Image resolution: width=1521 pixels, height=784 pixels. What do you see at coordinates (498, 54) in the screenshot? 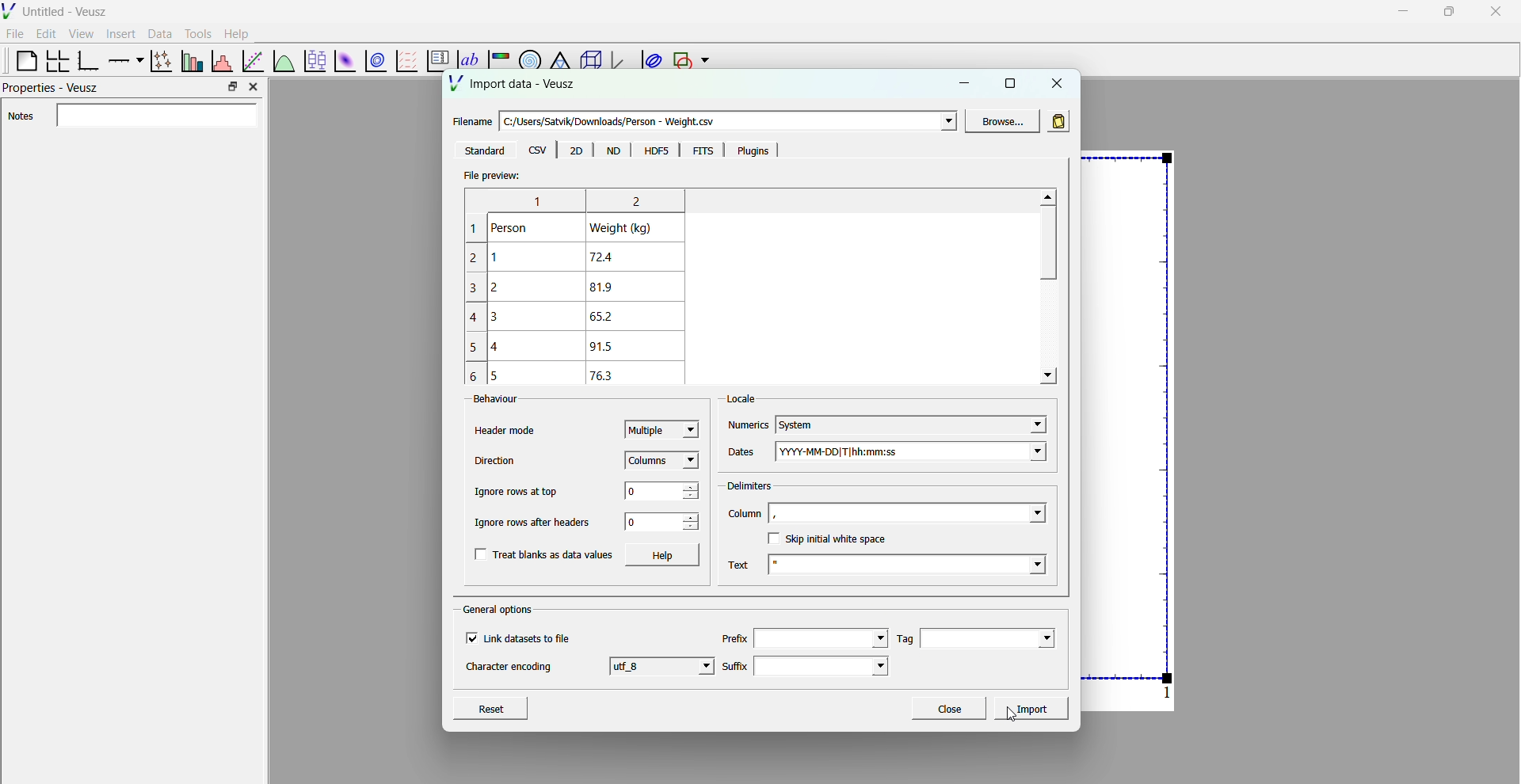
I see `image color graph` at bounding box center [498, 54].